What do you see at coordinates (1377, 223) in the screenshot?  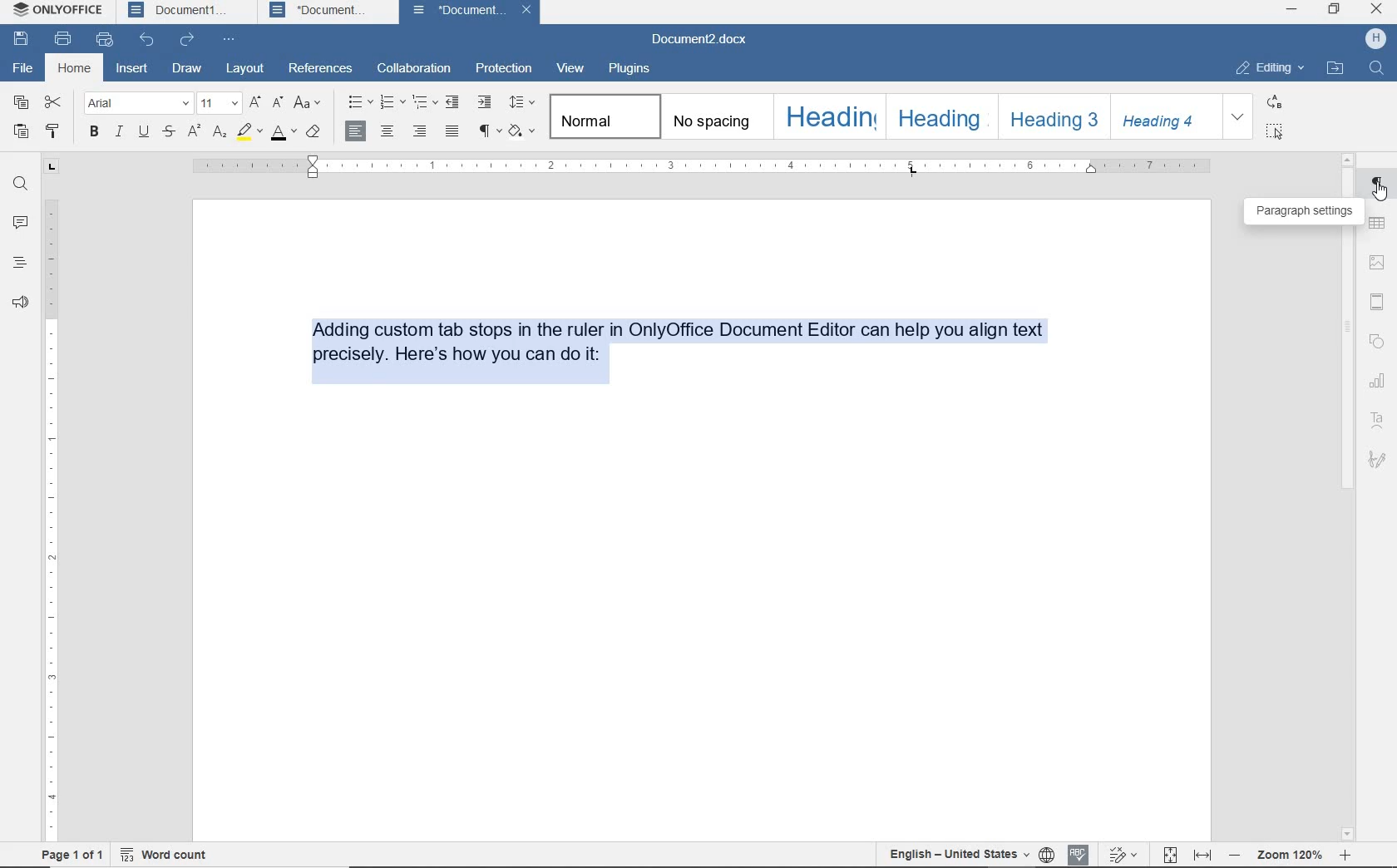 I see `table` at bounding box center [1377, 223].